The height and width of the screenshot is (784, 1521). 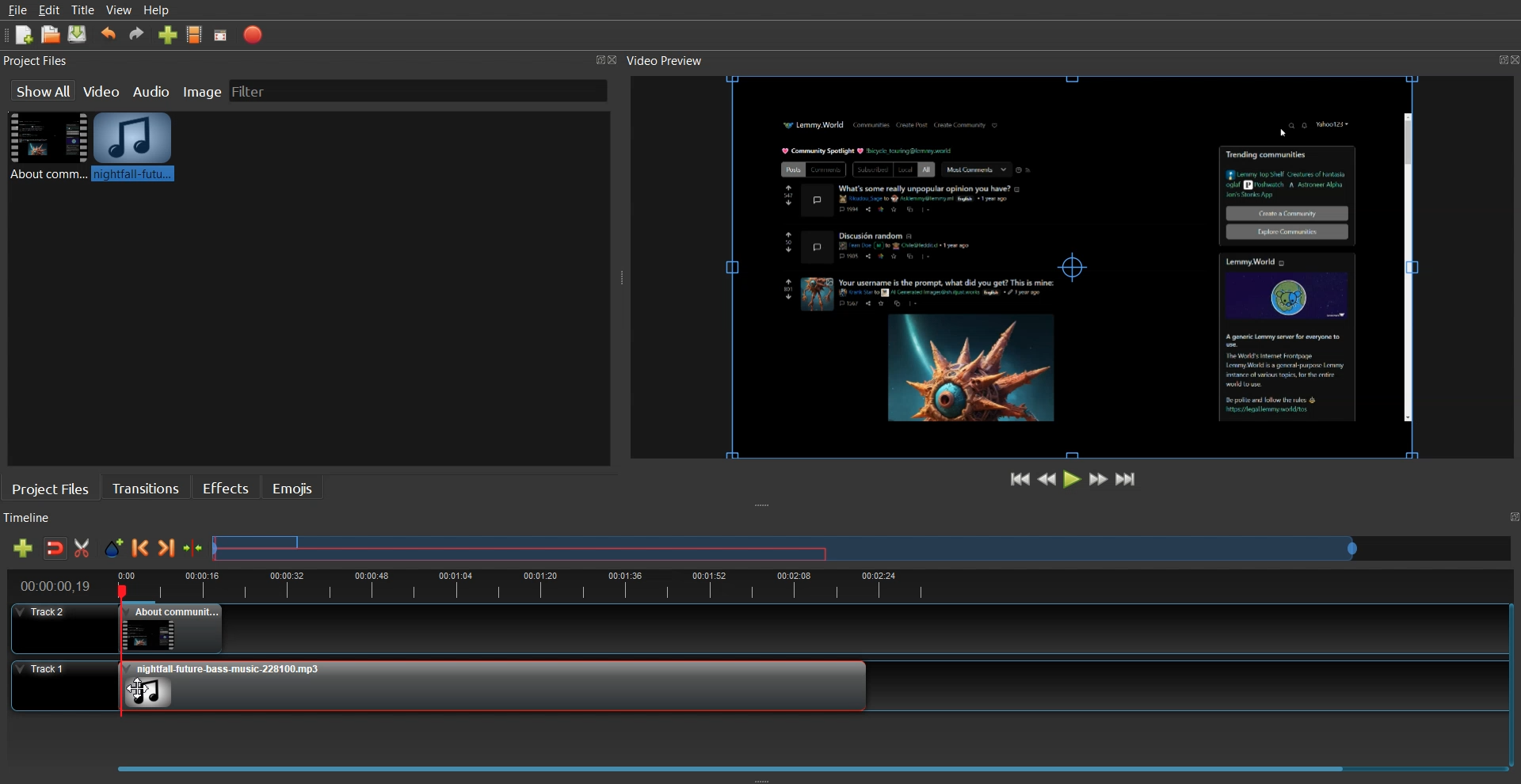 I want to click on Audio clip added, so click(x=494, y=685).